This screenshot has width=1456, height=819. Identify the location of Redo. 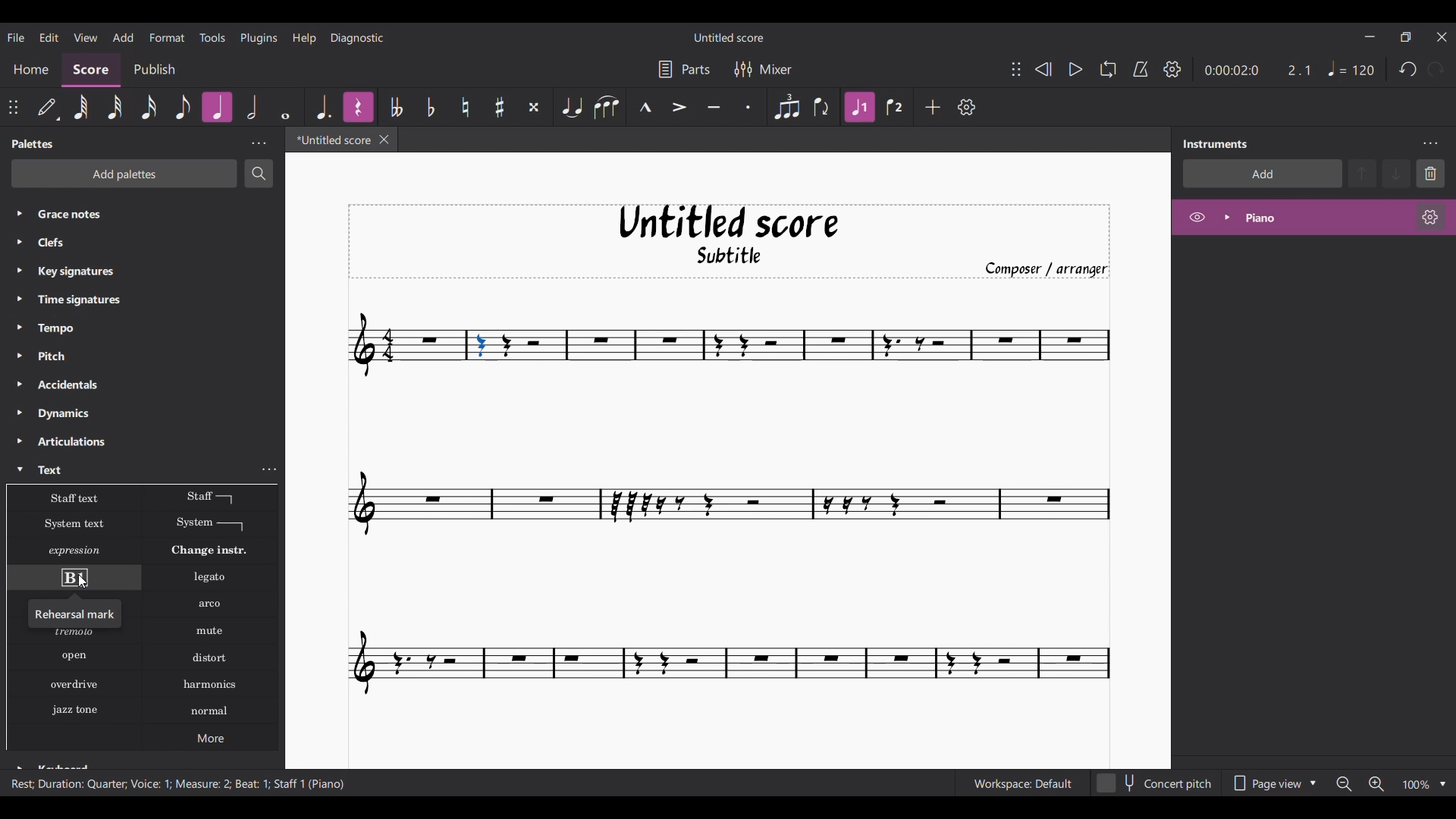
(1437, 69).